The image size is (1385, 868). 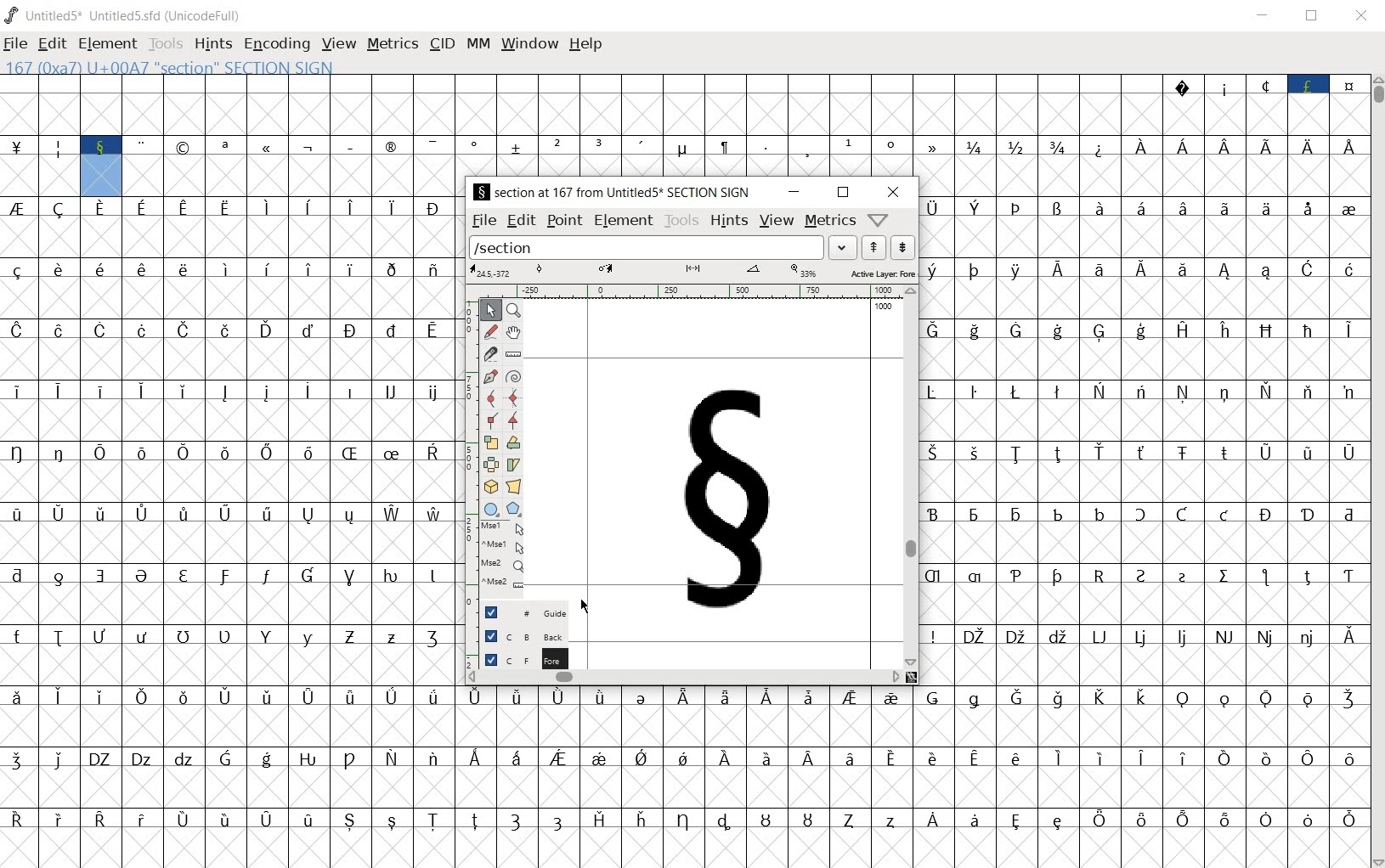 What do you see at coordinates (108, 44) in the screenshot?
I see `ELEMENT` at bounding box center [108, 44].